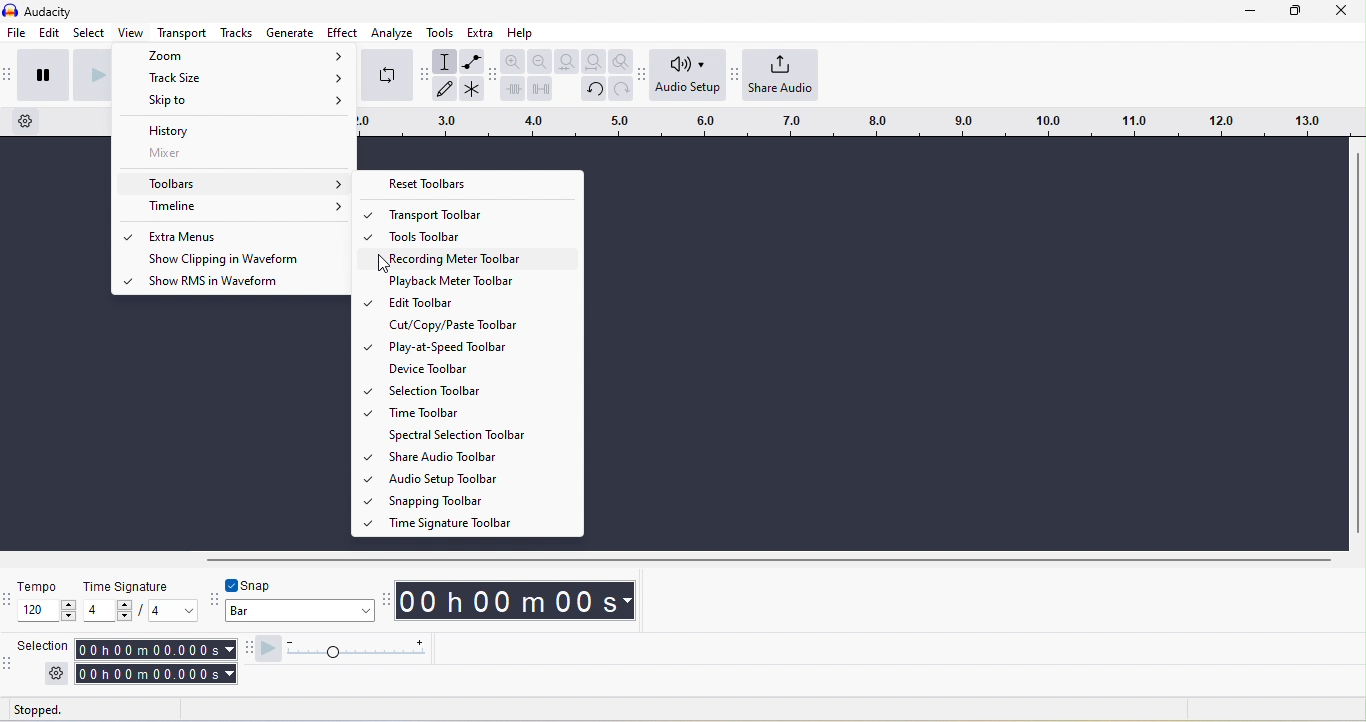  Describe the element at coordinates (8, 668) in the screenshot. I see `selection toolbar` at that location.